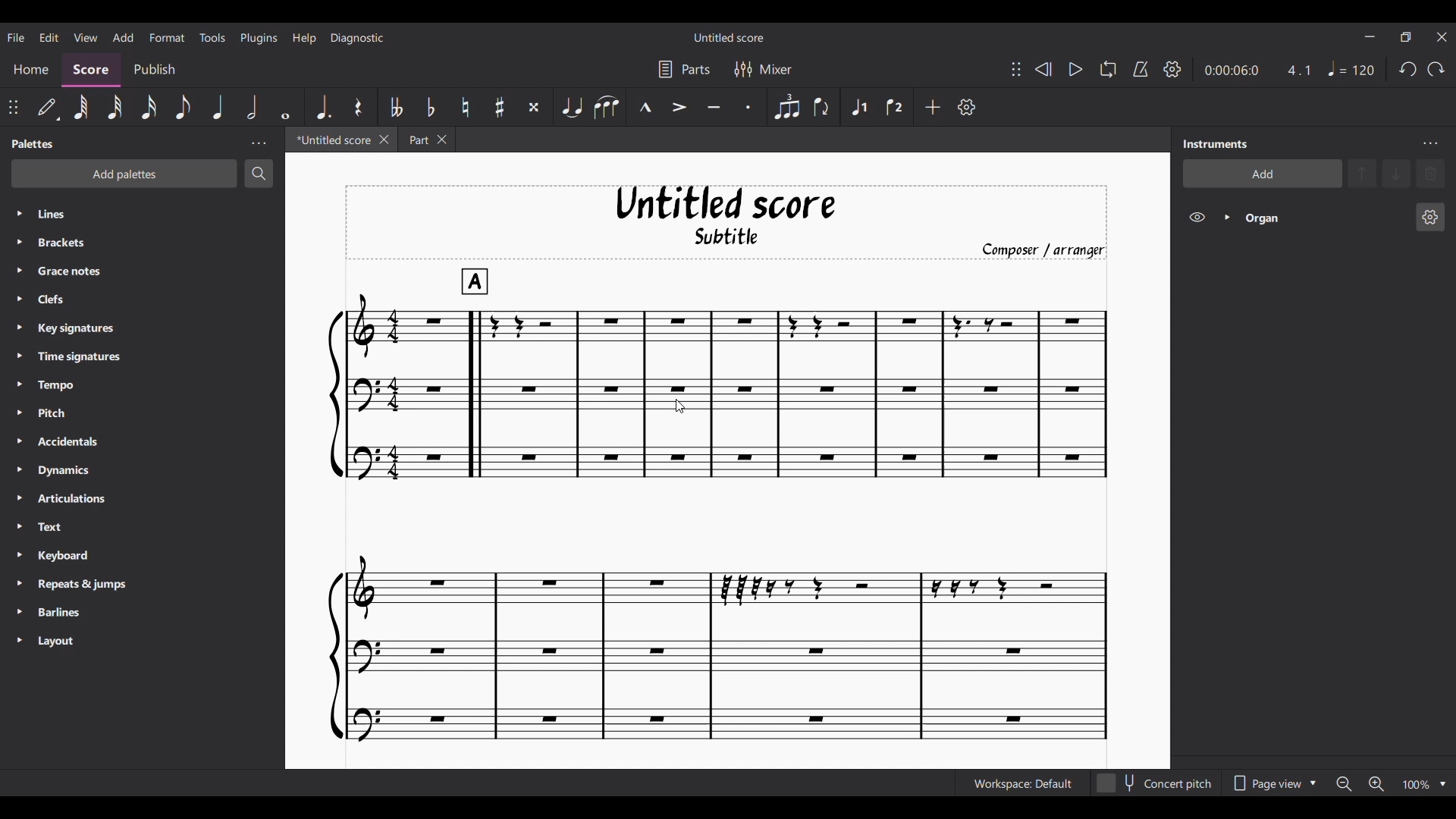  What do you see at coordinates (1227, 217) in the screenshot?
I see `Expand Organ` at bounding box center [1227, 217].